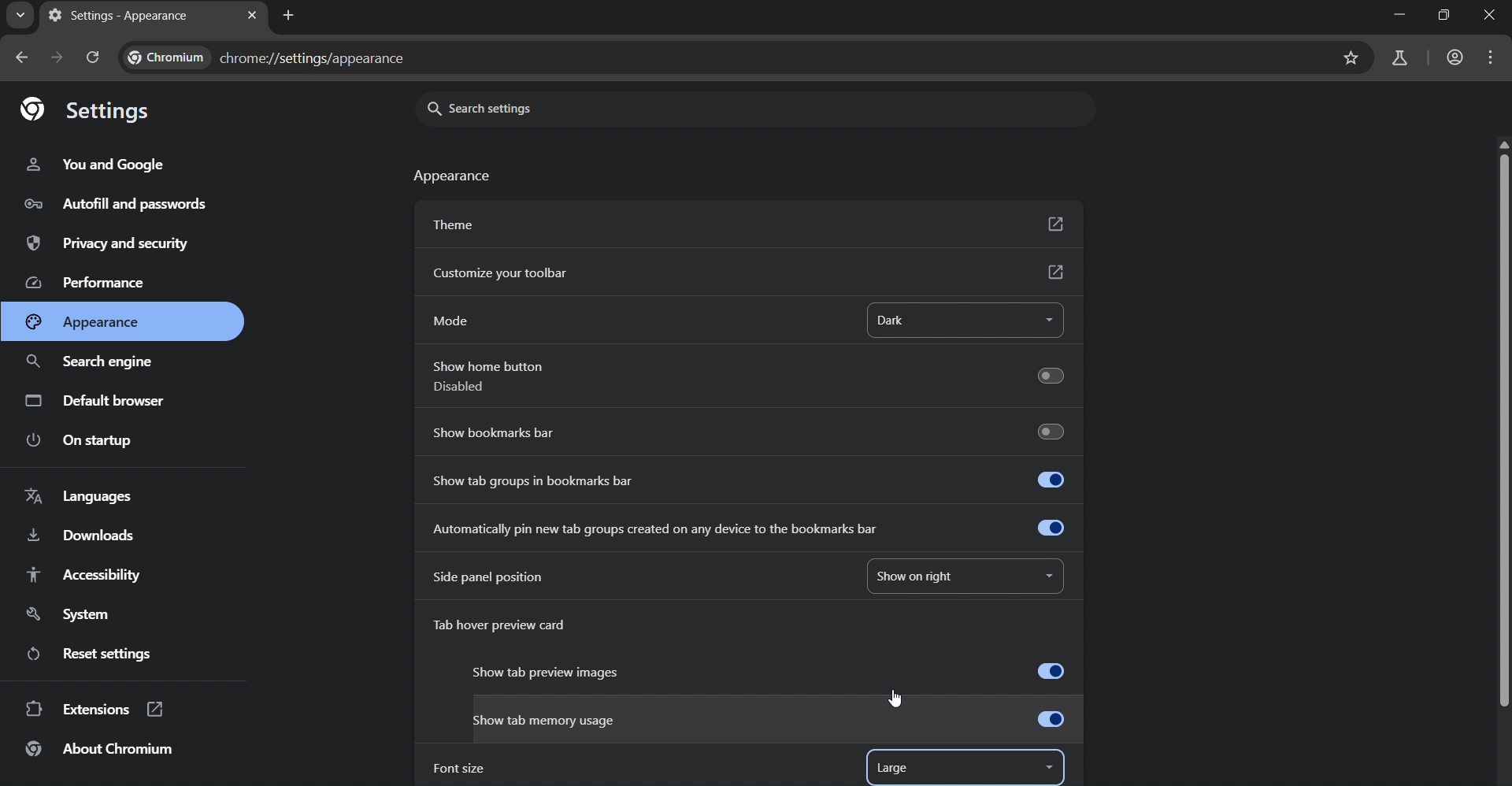 The image size is (1512, 786). What do you see at coordinates (506, 108) in the screenshot?
I see `search settings` at bounding box center [506, 108].